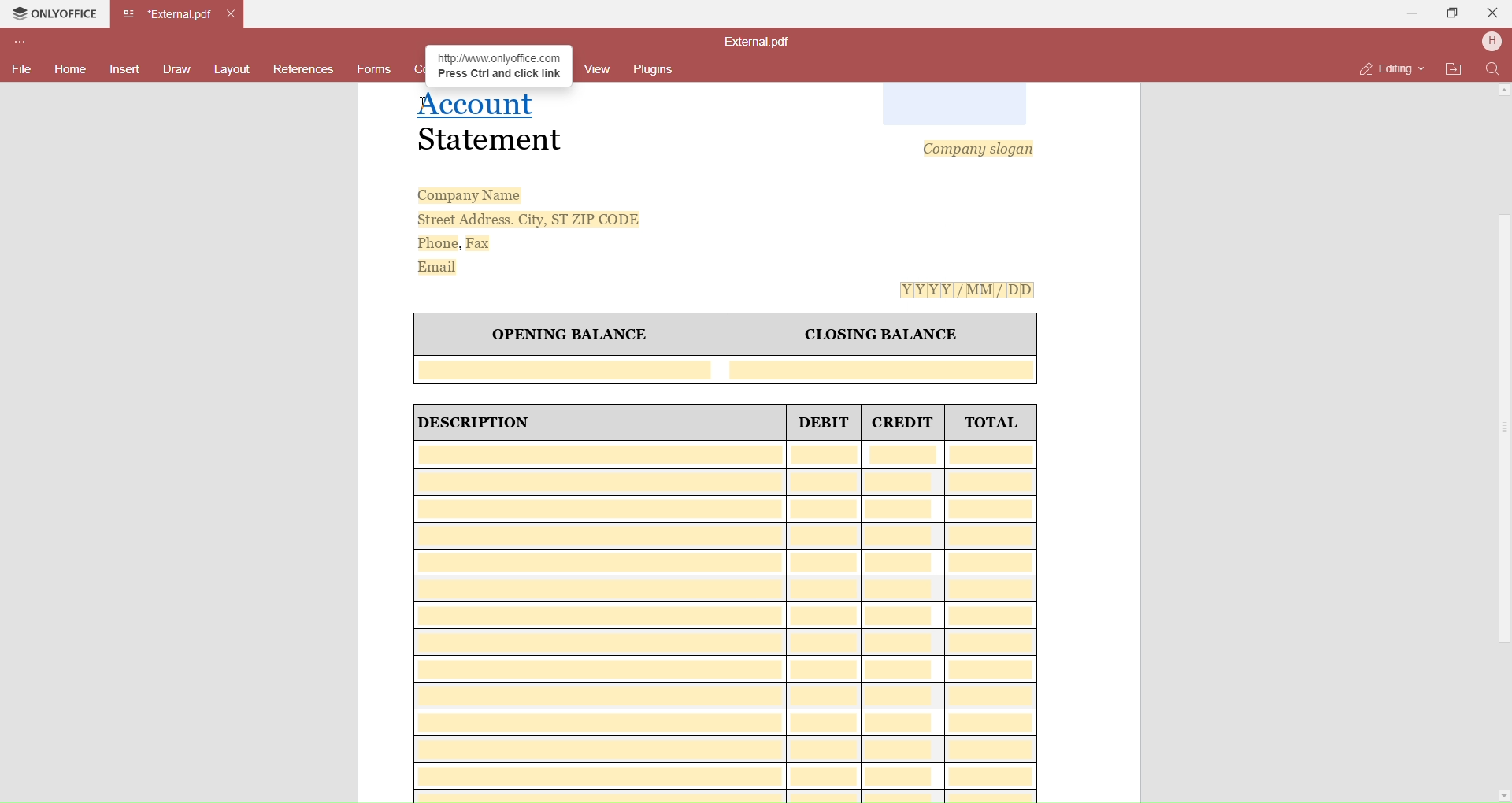 Image resolution: width=1512 pixels, height=803 pixels. What do you see at coordinates (595, 70) in the screenshot?
I see `View` at bounding box center [595, 70].